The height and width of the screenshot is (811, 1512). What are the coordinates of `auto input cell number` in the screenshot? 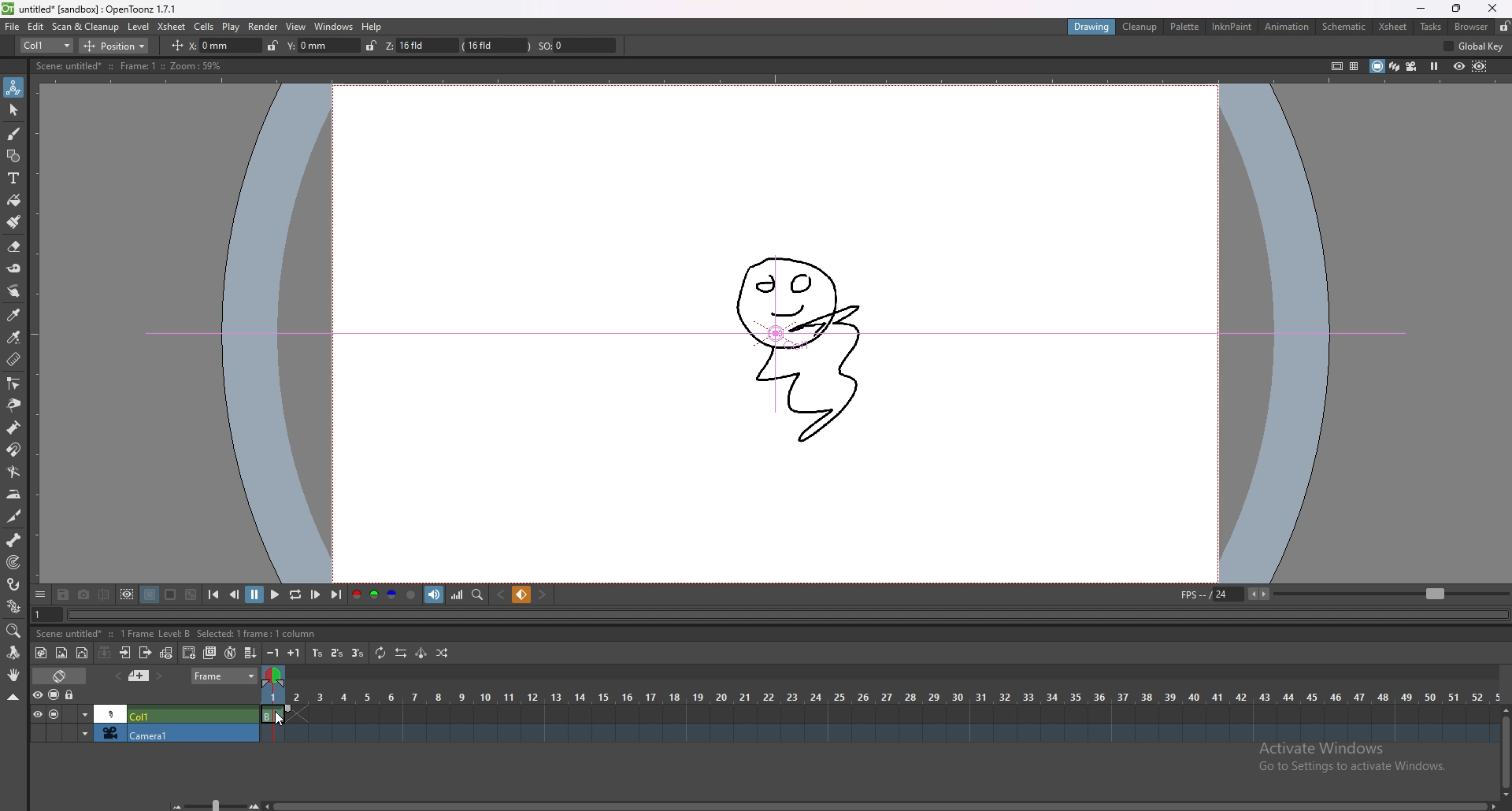 It's located at (230, 652).